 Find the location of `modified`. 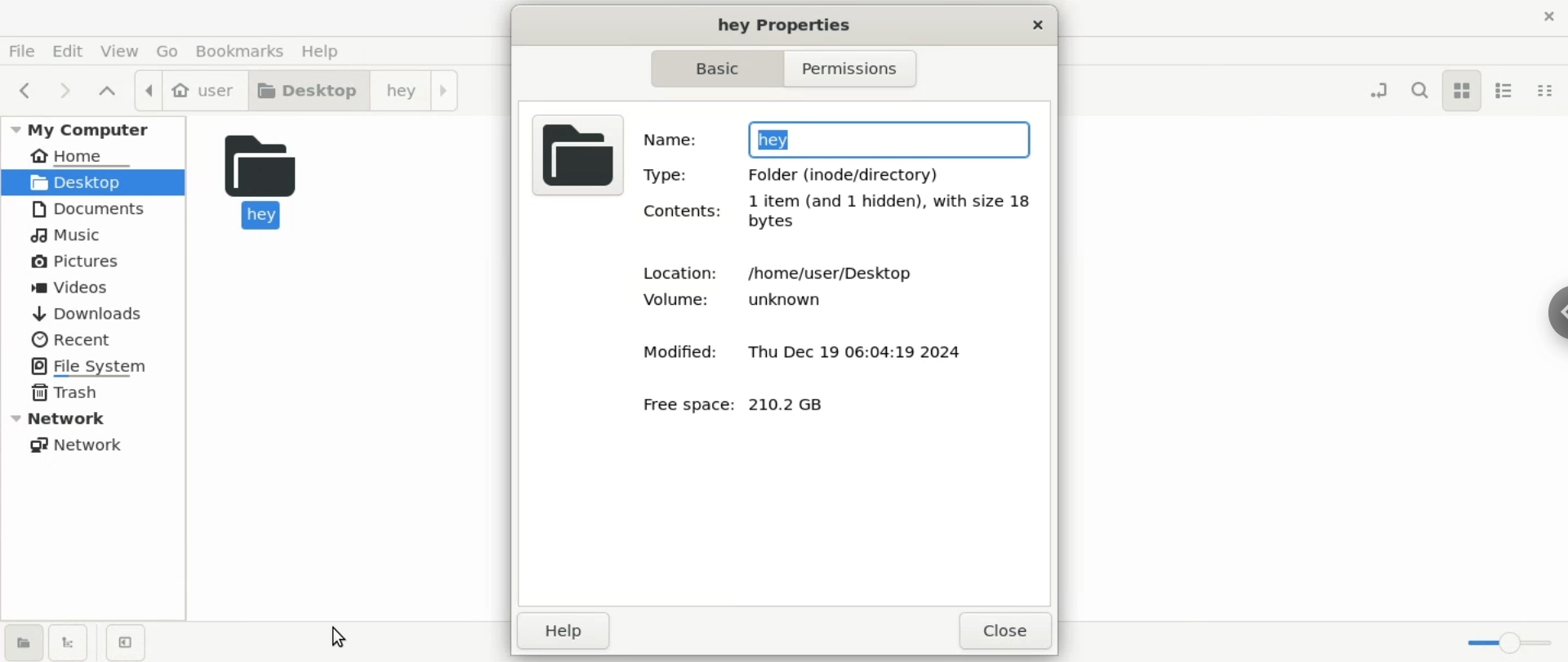

modified is located at coordinates (671, 351).